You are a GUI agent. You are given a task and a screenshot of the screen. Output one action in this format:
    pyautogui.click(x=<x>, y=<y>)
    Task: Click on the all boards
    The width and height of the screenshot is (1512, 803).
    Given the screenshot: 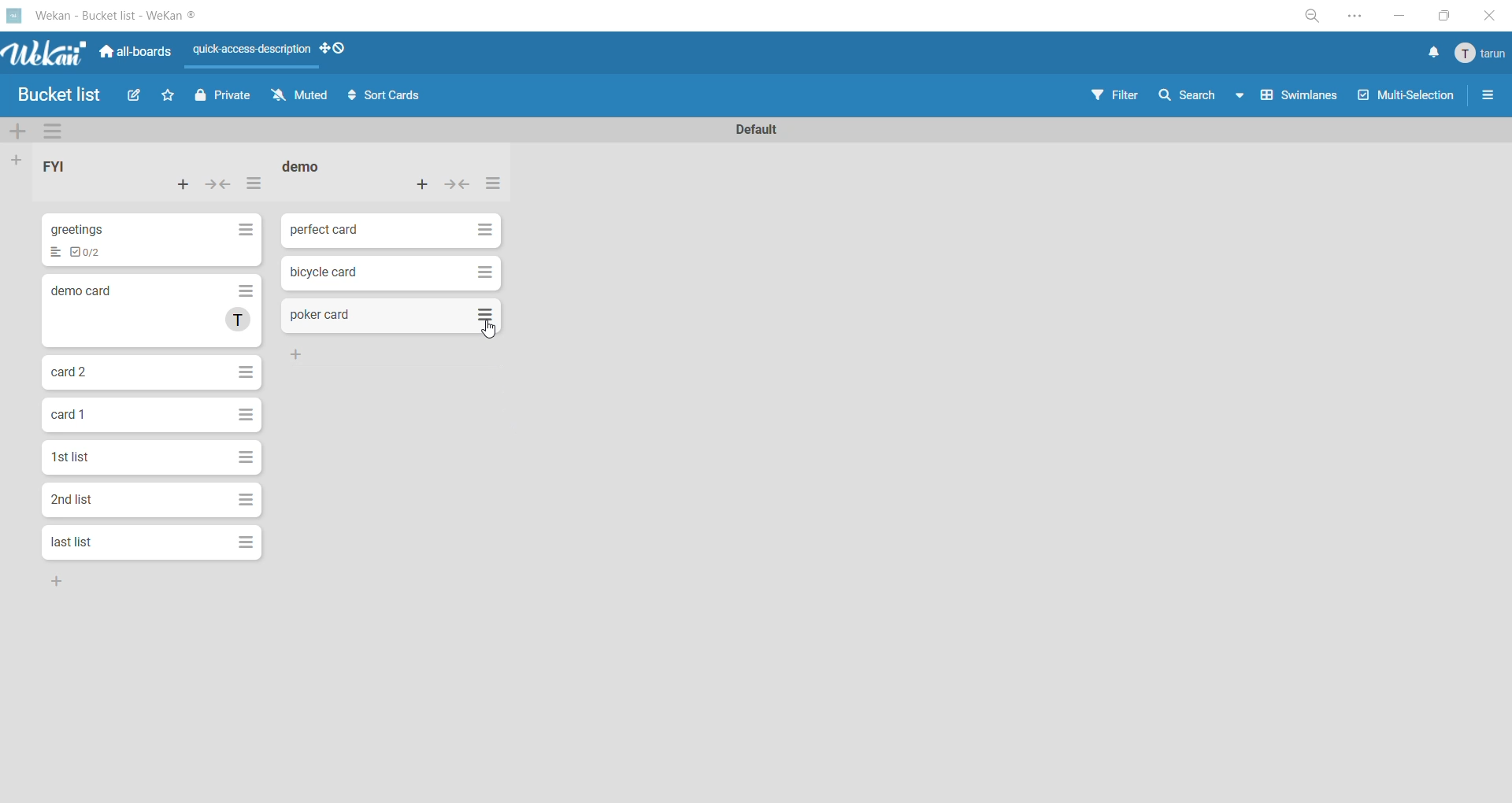 What is the action you would take?
    pyautogui.click(x=136, y=50)
    